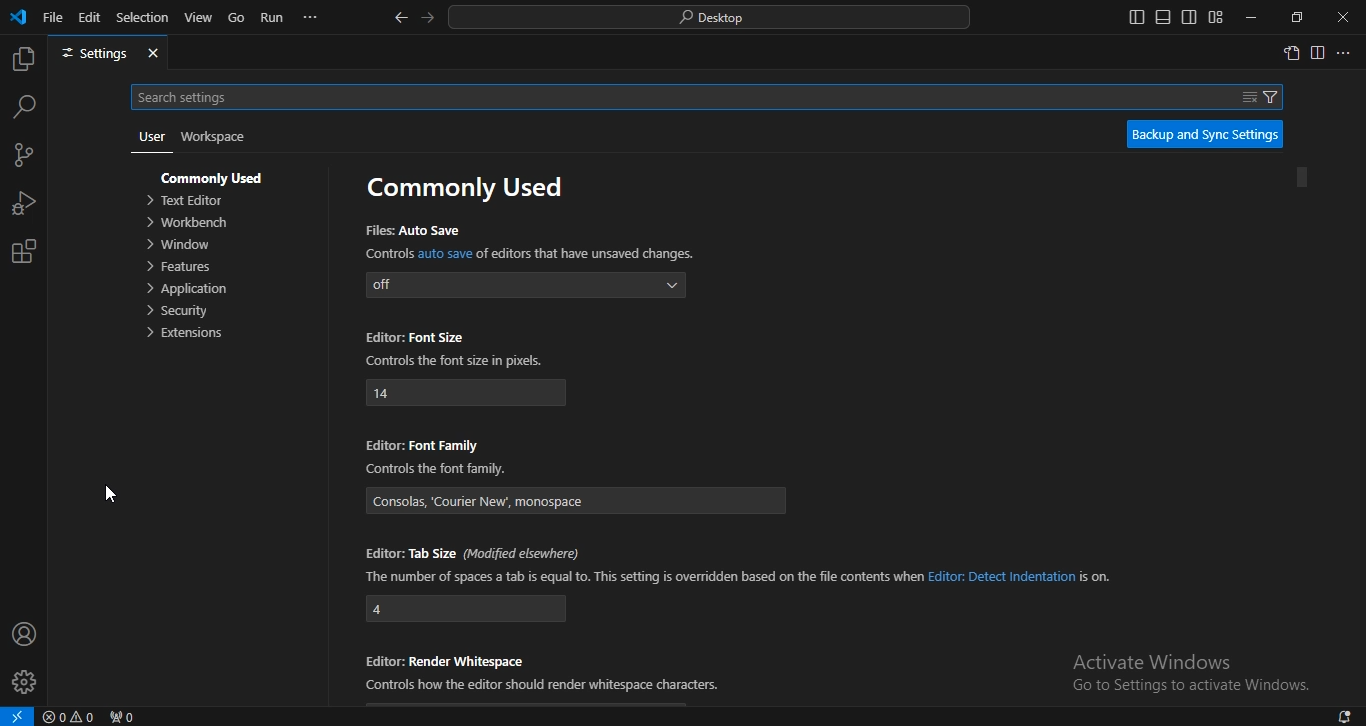  Describe the element at coordinates (431, 17) in the screenshot. I see `go forward` at that location.